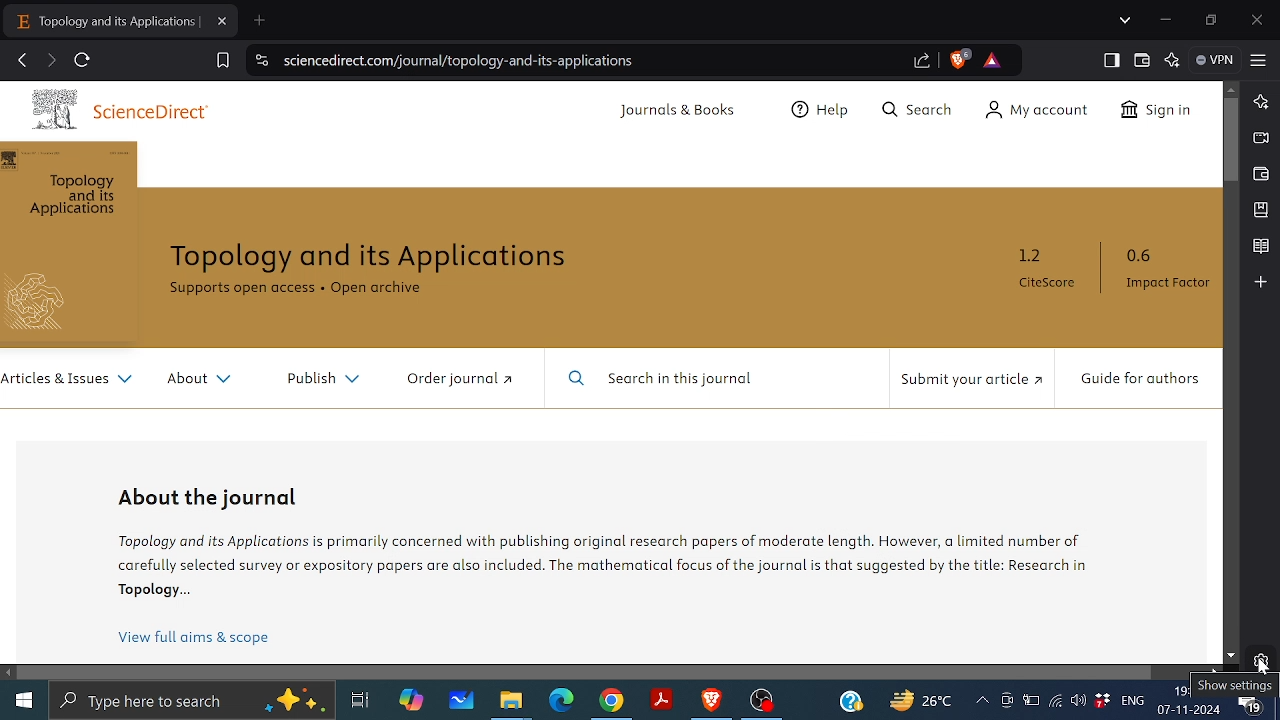 This screenshot has height=720, width=1280. What do you see at coordinates (1251, 700) in the screenshot?
I see `Masseges` at bounding box center [1251, 700].